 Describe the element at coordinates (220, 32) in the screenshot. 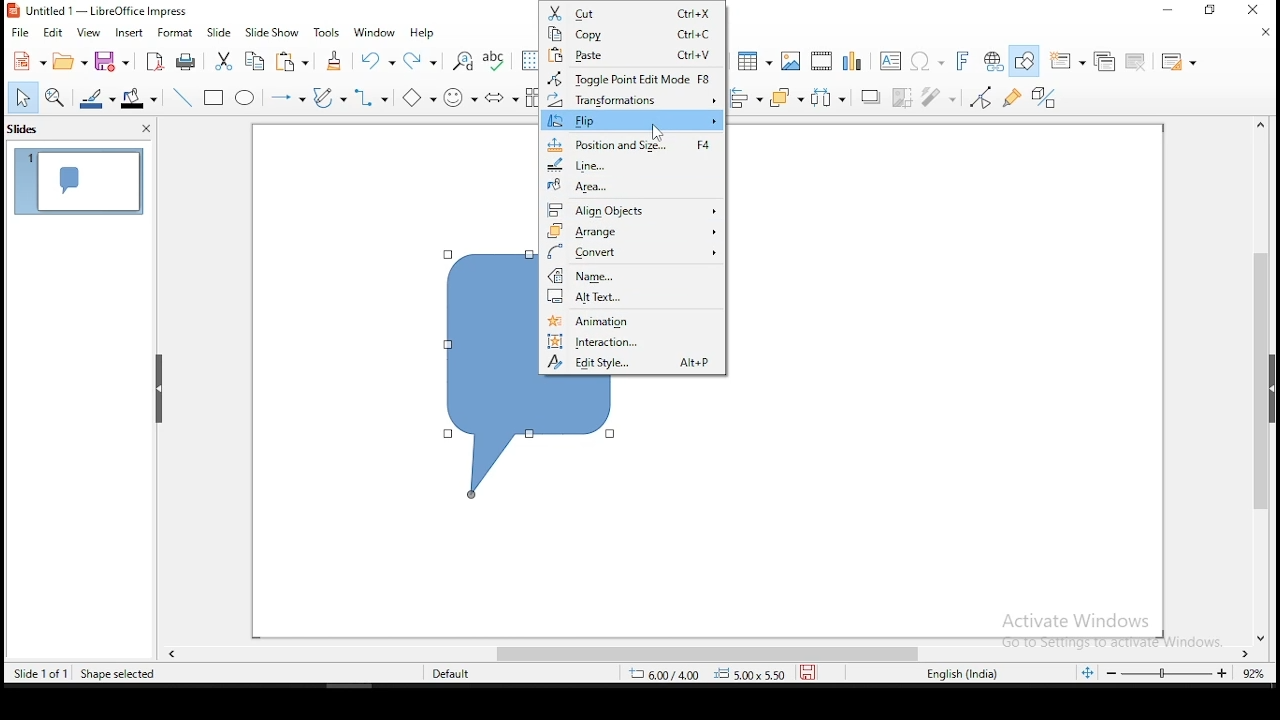

I see `slide` at that location.